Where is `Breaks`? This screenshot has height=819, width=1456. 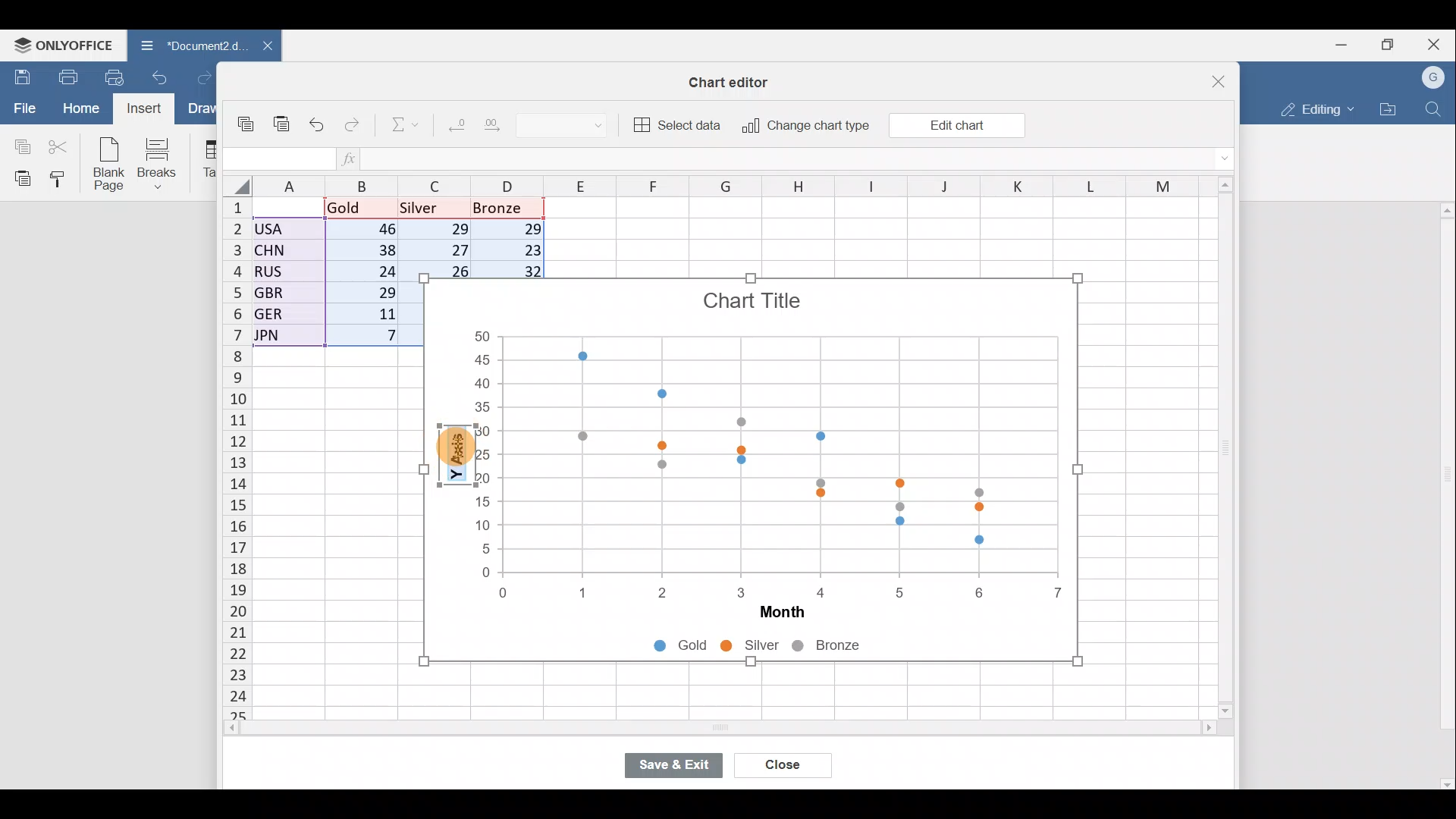 Breaks is located at coordinates (165, 162).